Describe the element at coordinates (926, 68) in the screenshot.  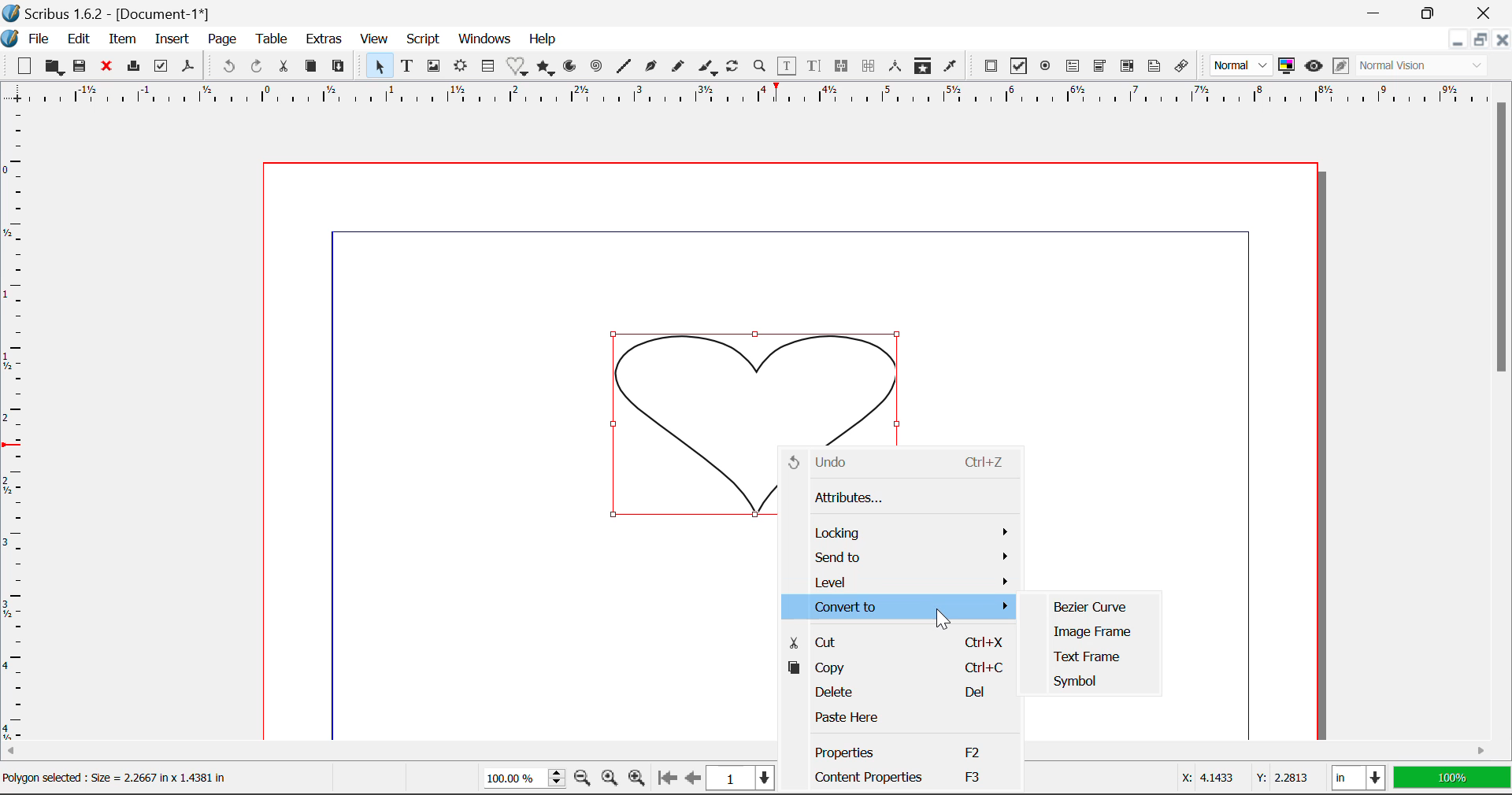
I see `Copy Item Properties` at that location.